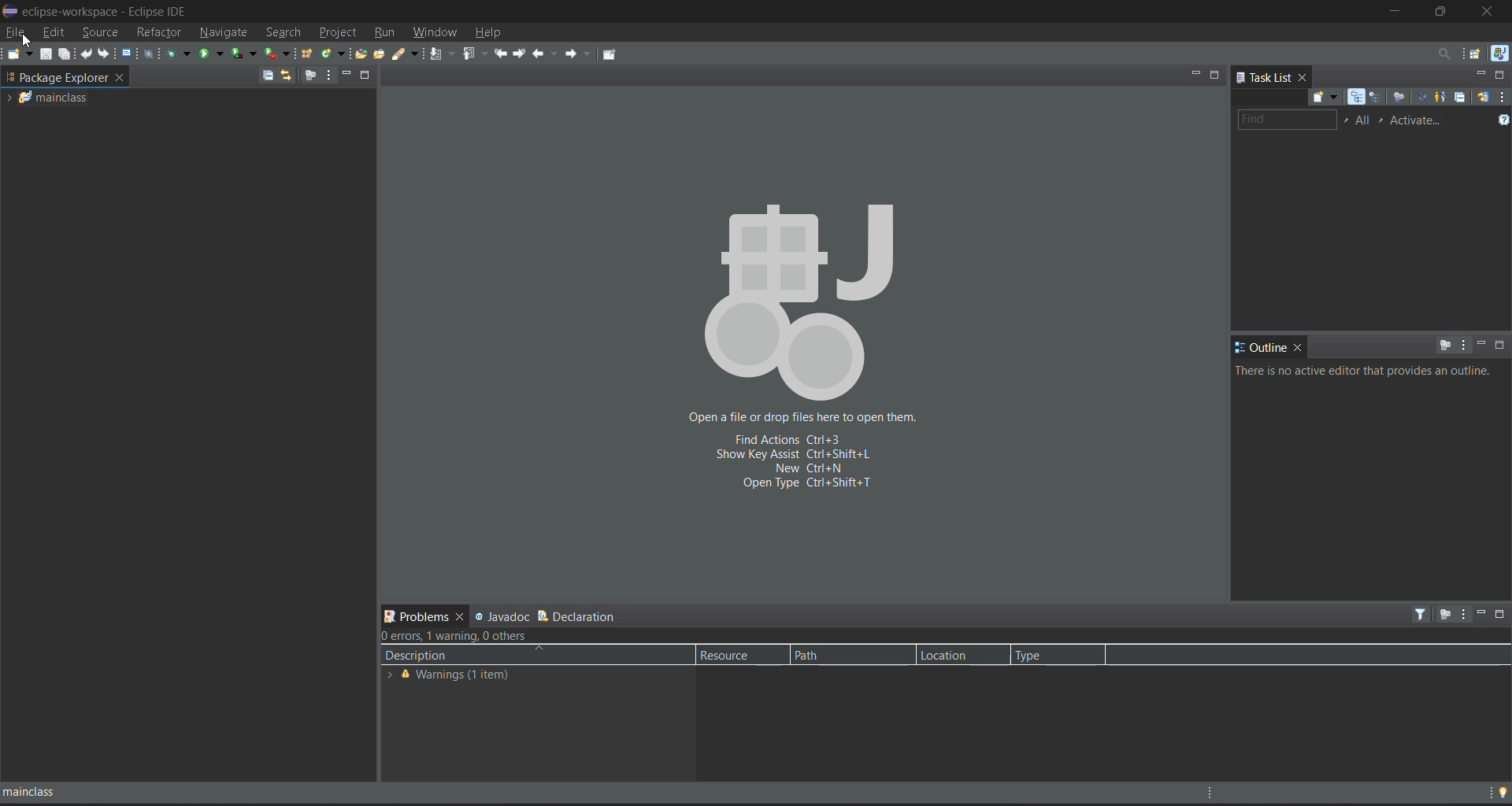  Describe the element at coordinates (1480, 346) in the screenshot. I see `minimize` at that location.